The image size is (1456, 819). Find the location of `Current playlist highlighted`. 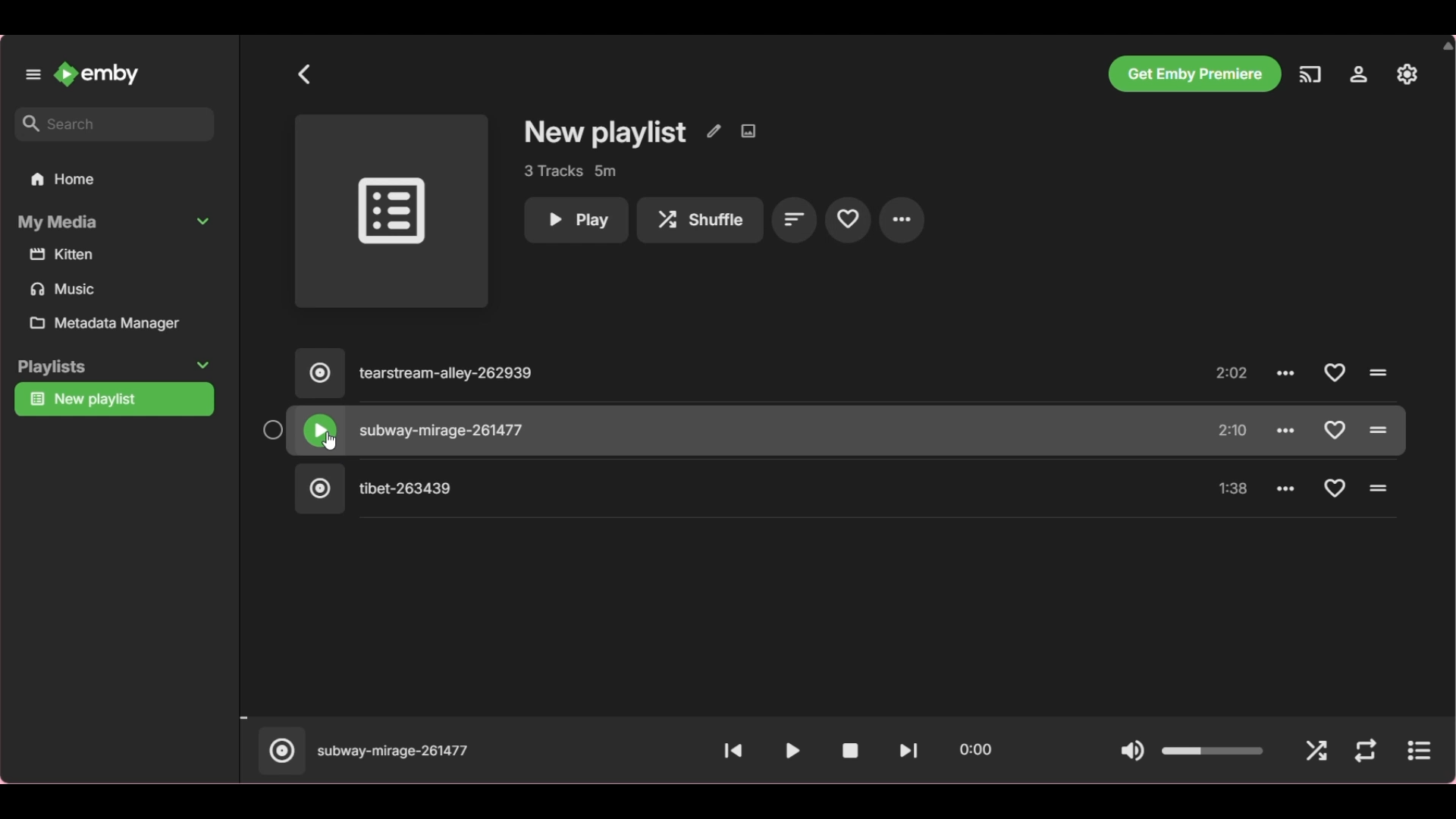

Current playlist highlighted is located at coordinates (114, 400).